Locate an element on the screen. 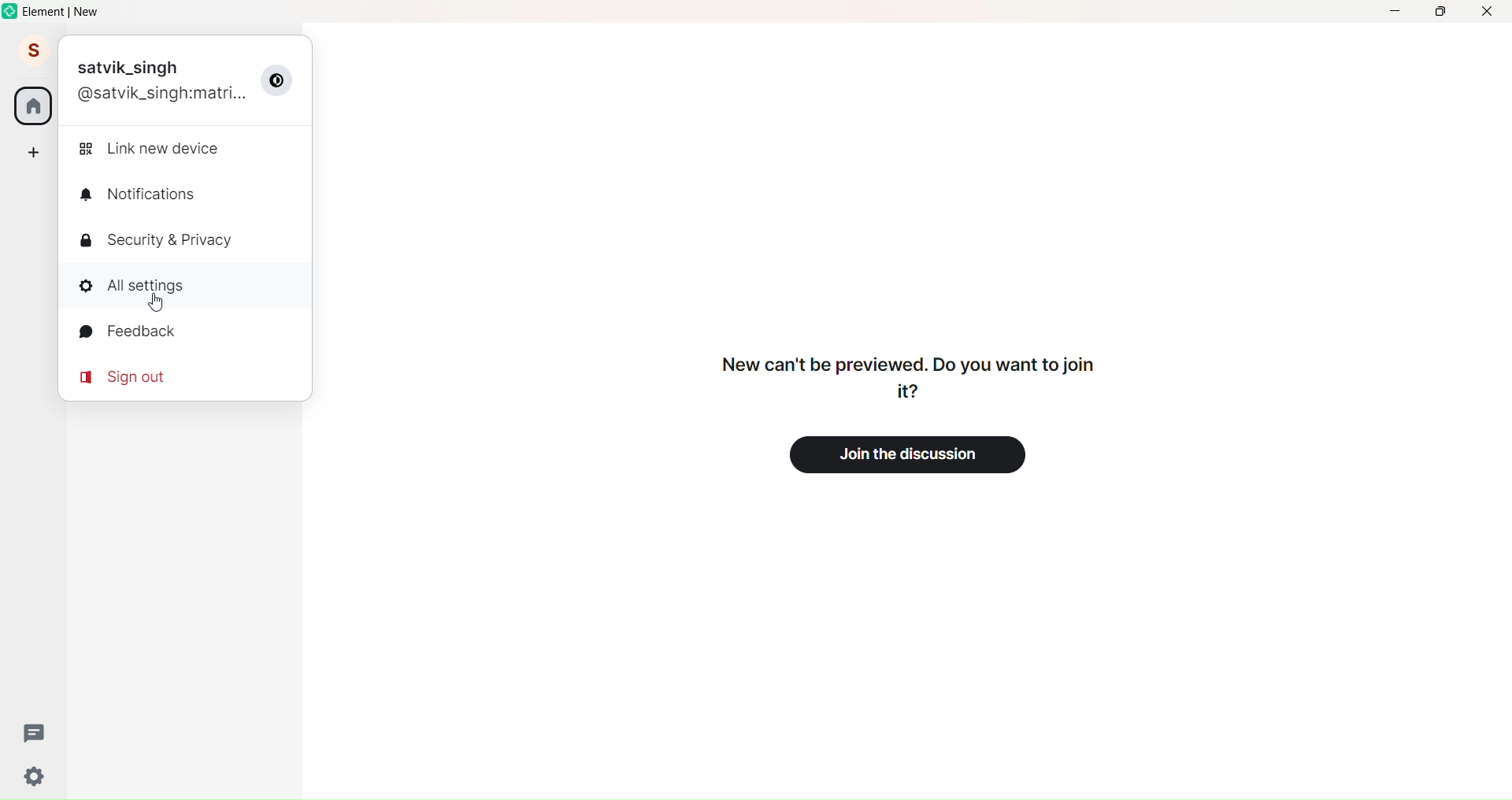 The image size is (1512, 800). Profile is located at coordinates (31, 52).